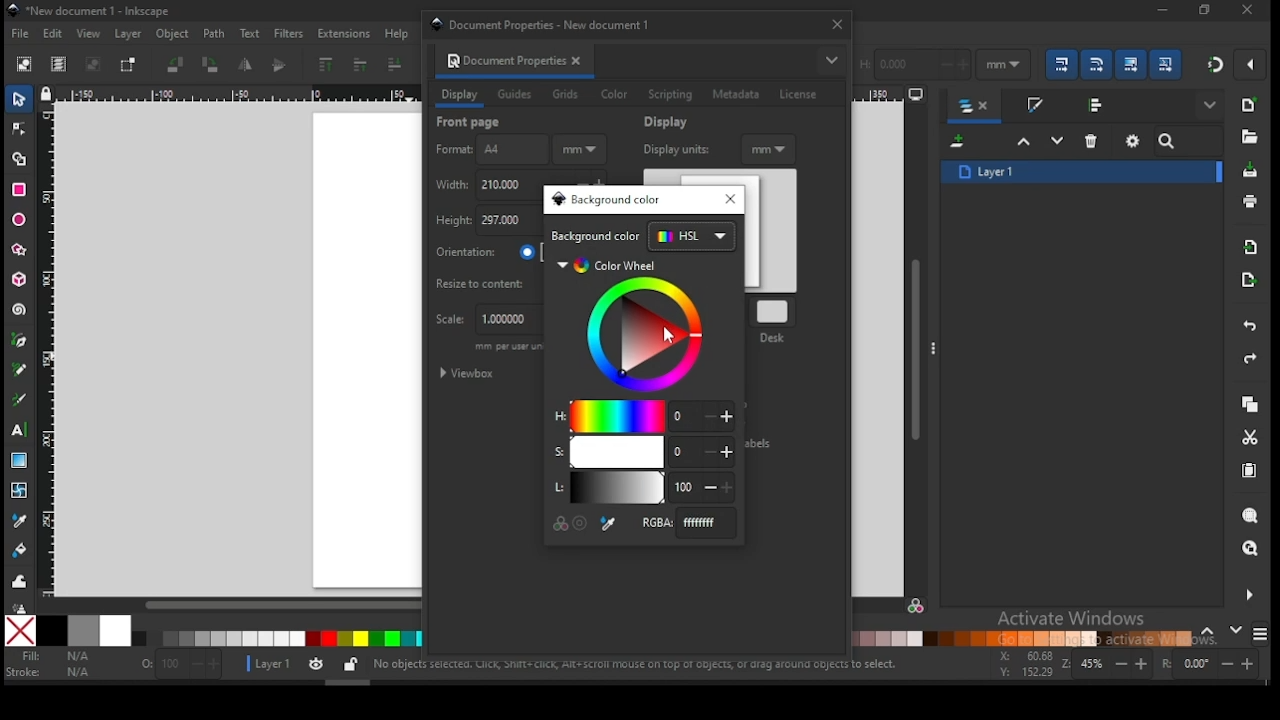 Image resolution: width=1280 pixels, height=720 pixels. I want to click on page format, so click(489, 150).